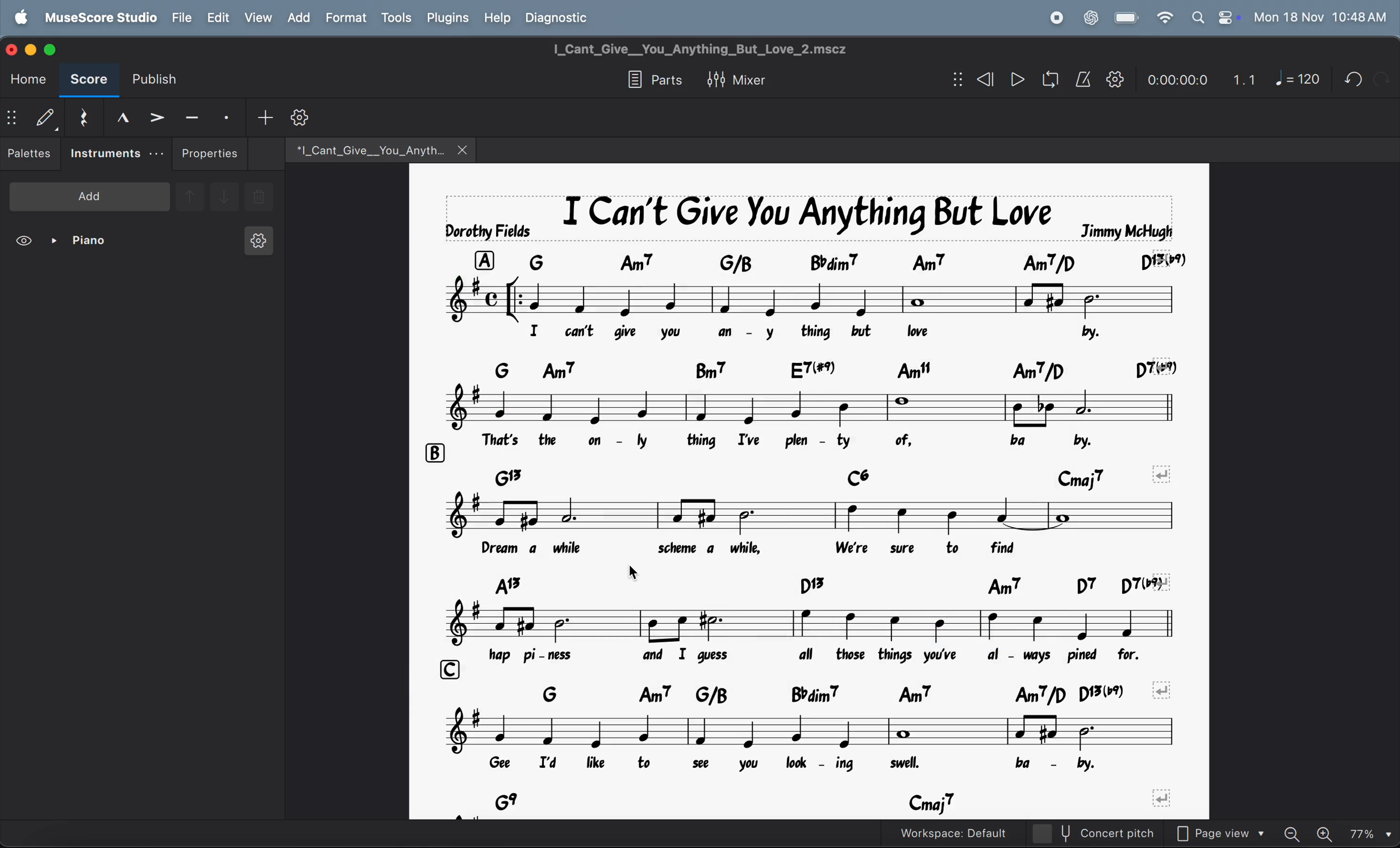 This screenshot has height=848, width=1400. I want to click on add, so click(298, 17).